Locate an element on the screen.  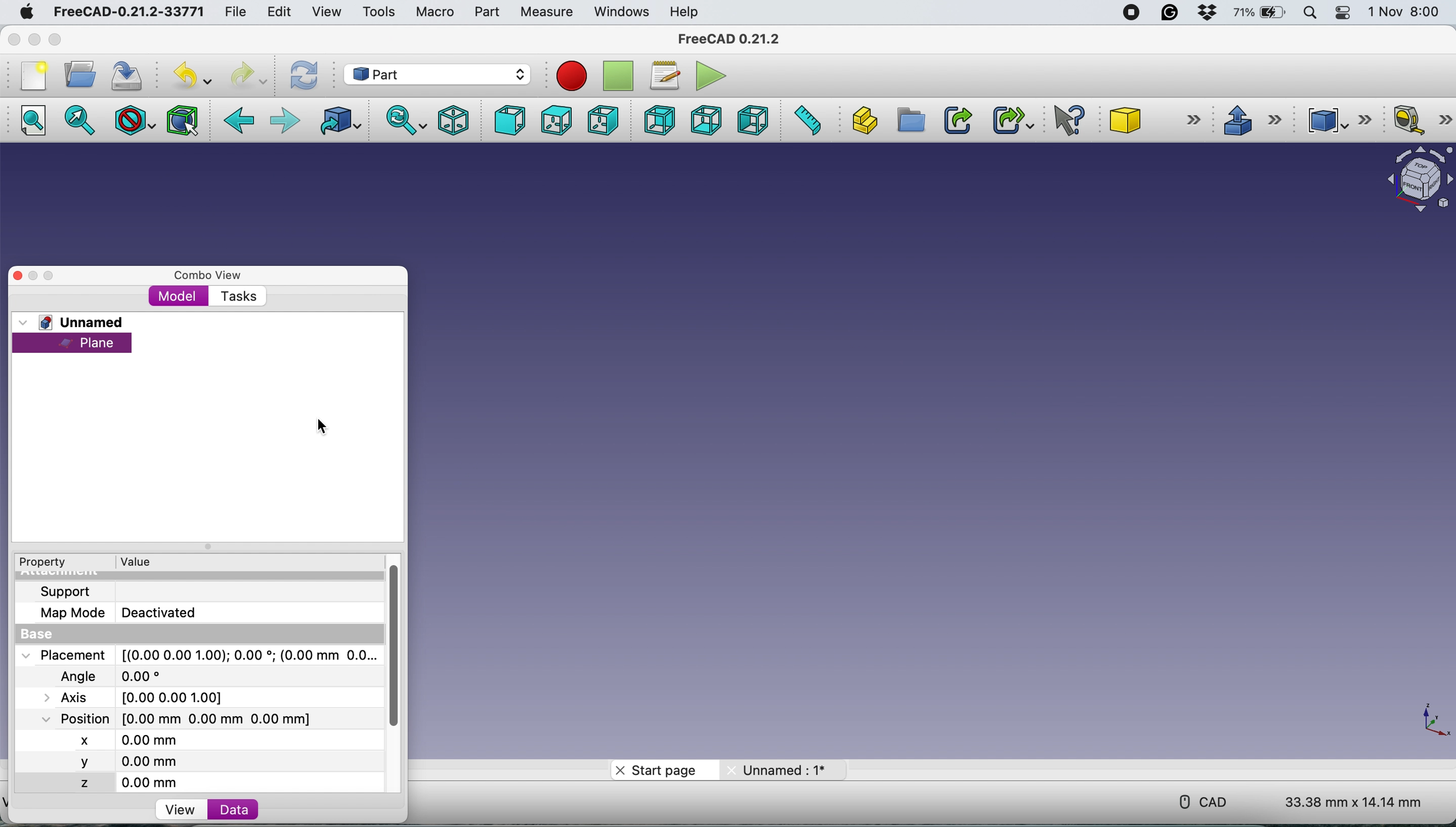
maximise is located at coordinates (57, 40).